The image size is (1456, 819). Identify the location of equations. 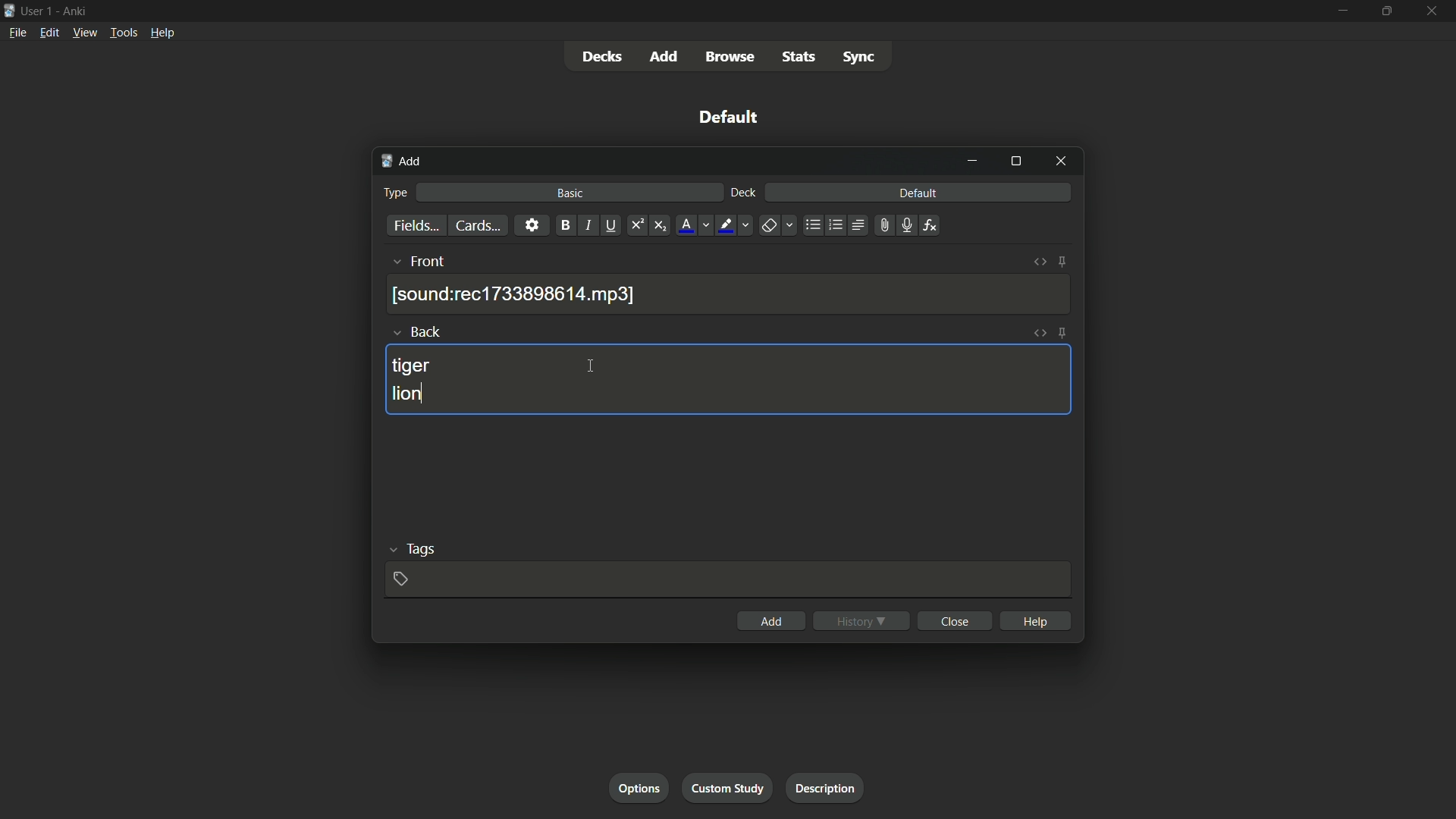
(930, 225).